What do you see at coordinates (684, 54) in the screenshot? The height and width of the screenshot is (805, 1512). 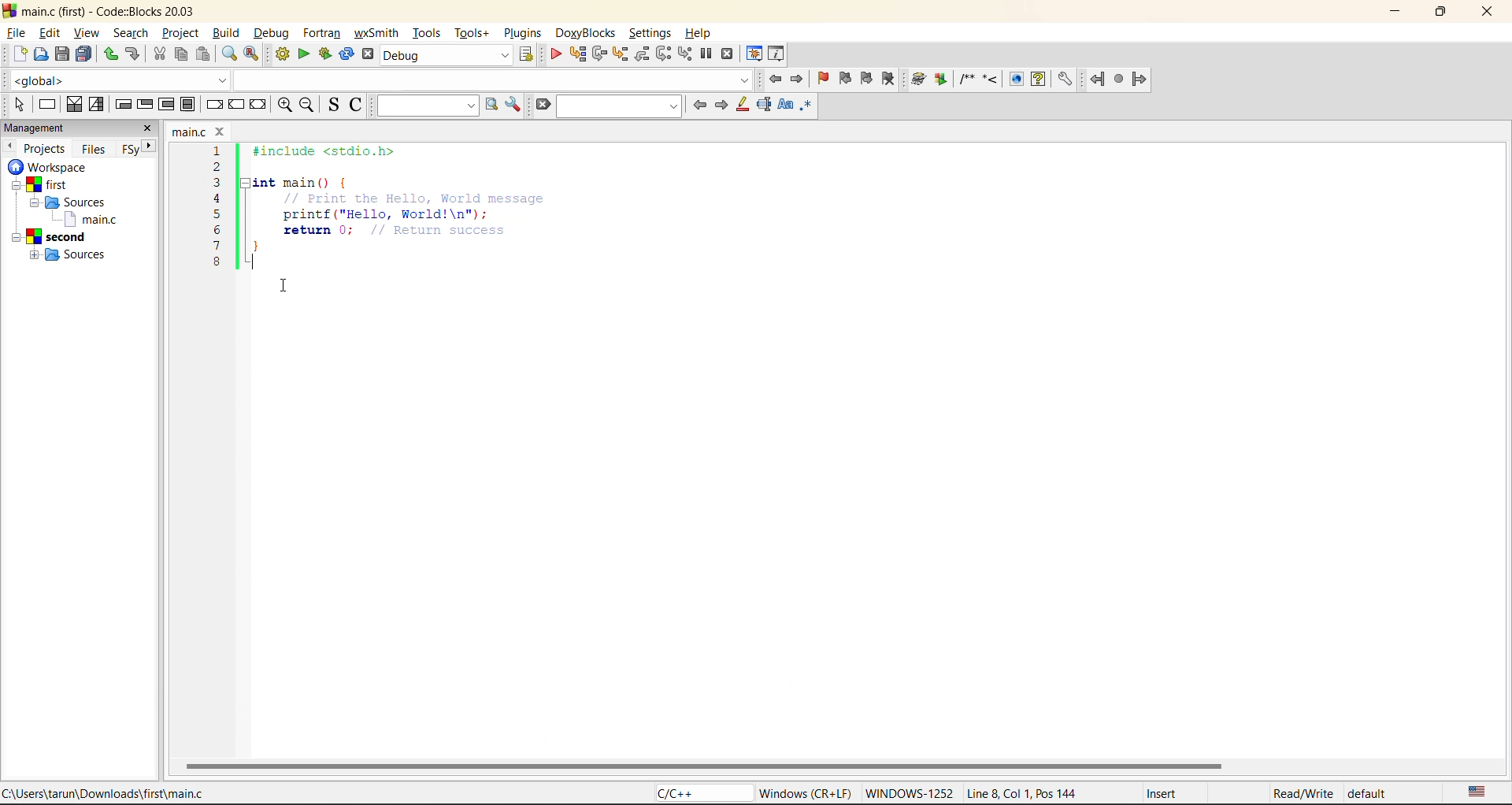 I see `step into instruction` at bounding box center [684, 54].